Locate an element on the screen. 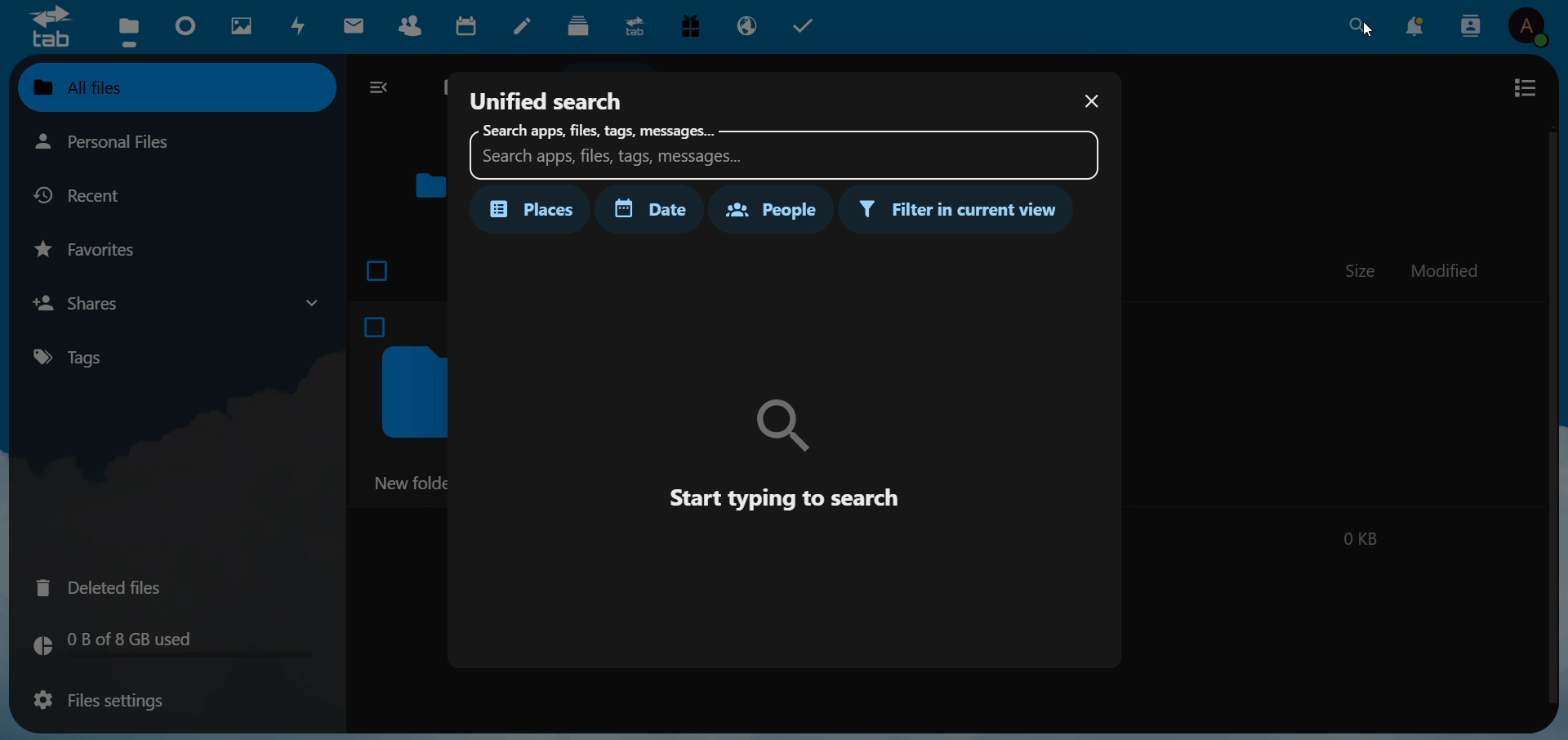 Image resolution: width=1568 pixels, height=740 pixels. 0 kb is located at coordinates (1359, 536).